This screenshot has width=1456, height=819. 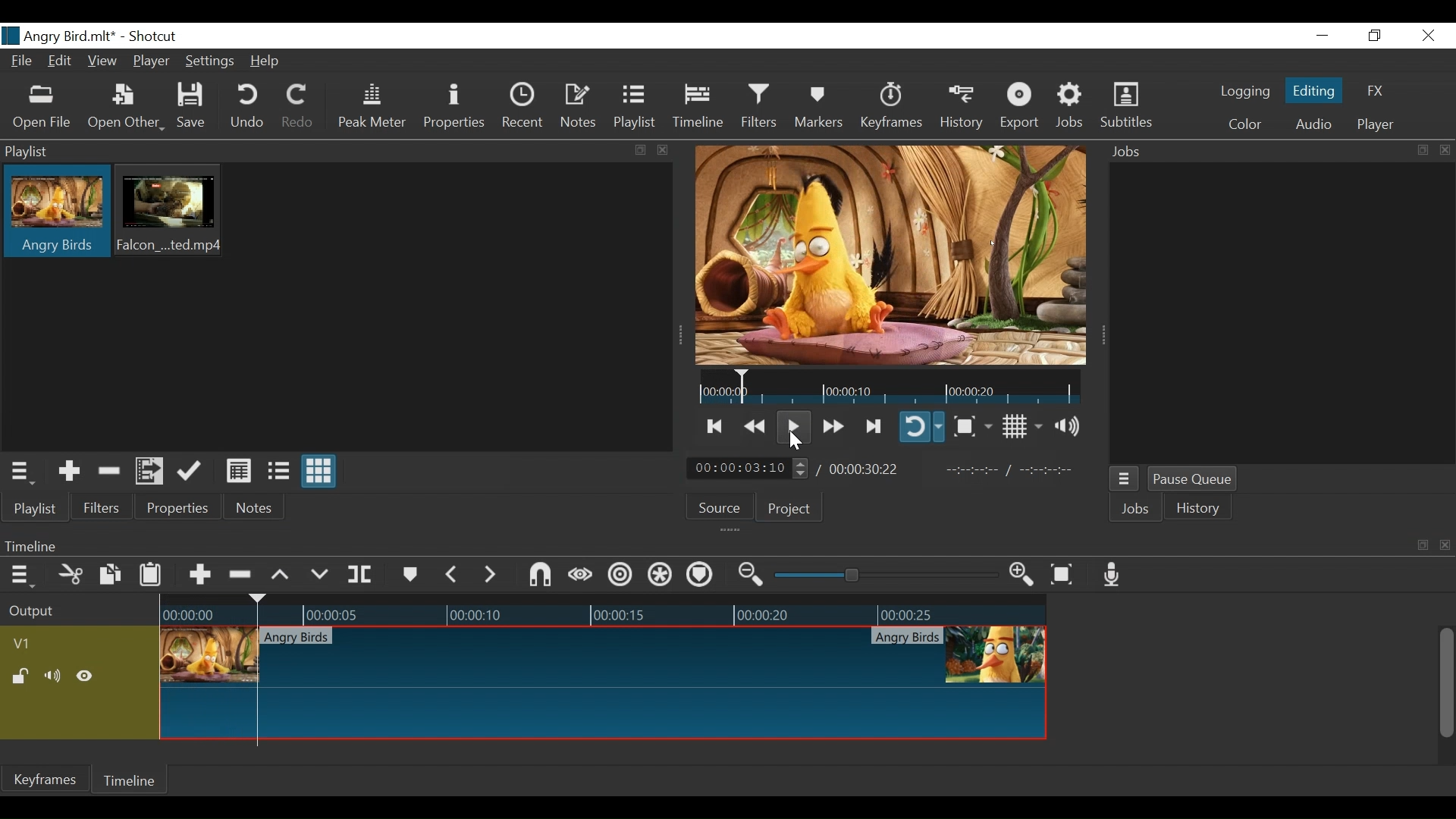 I want to click on Edit, so click(x=61, y=62).